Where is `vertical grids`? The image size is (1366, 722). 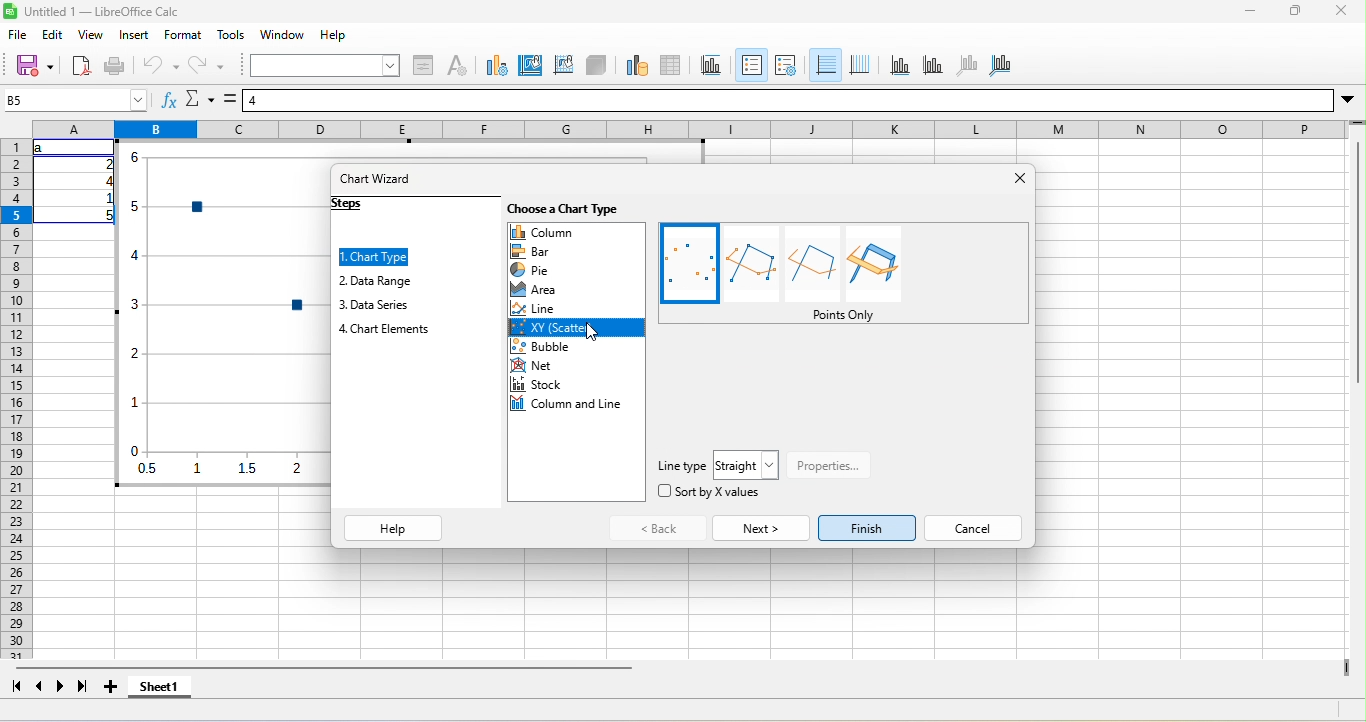
vertical grids is located at coordinates (860, 67).